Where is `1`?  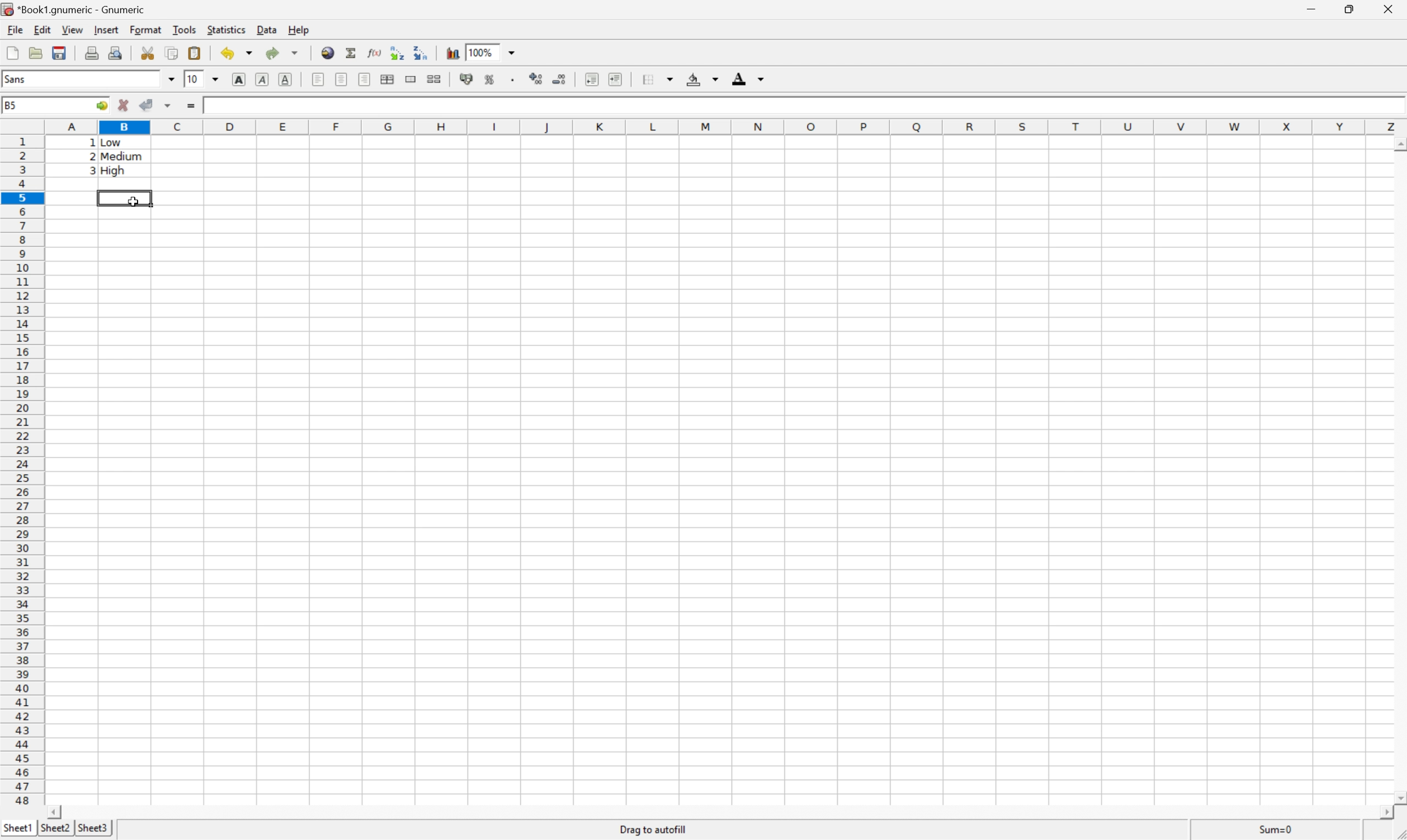 1 is located at coordinates (94, 143).